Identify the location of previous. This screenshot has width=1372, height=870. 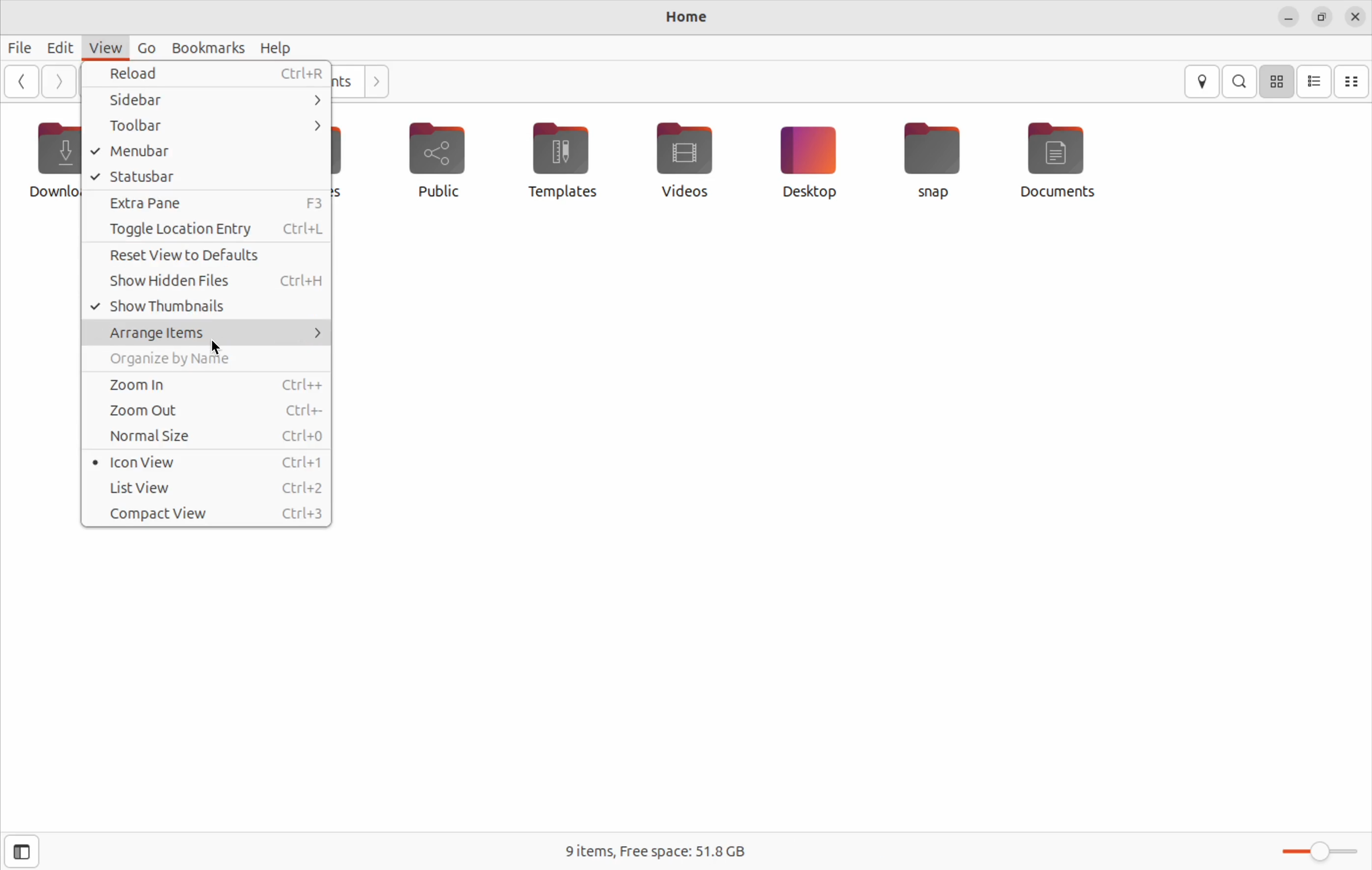
(19, 81).